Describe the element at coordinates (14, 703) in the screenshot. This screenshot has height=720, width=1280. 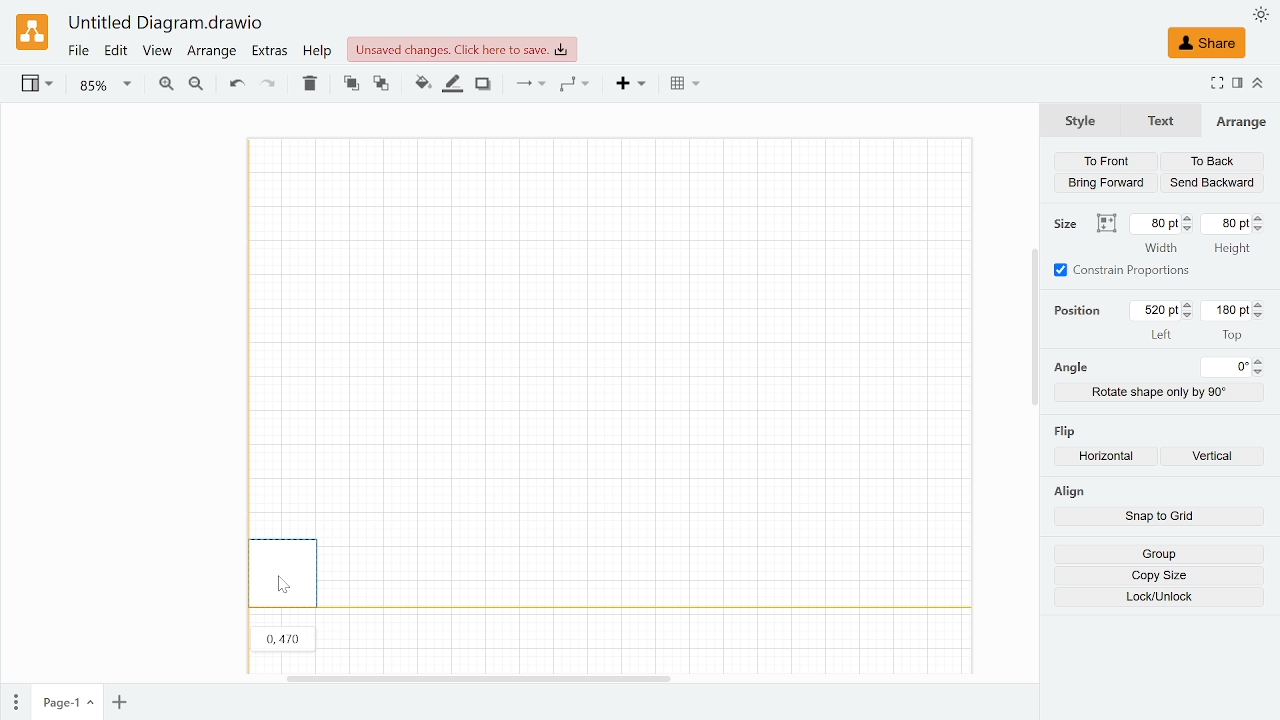
I see `Pages` at that location.